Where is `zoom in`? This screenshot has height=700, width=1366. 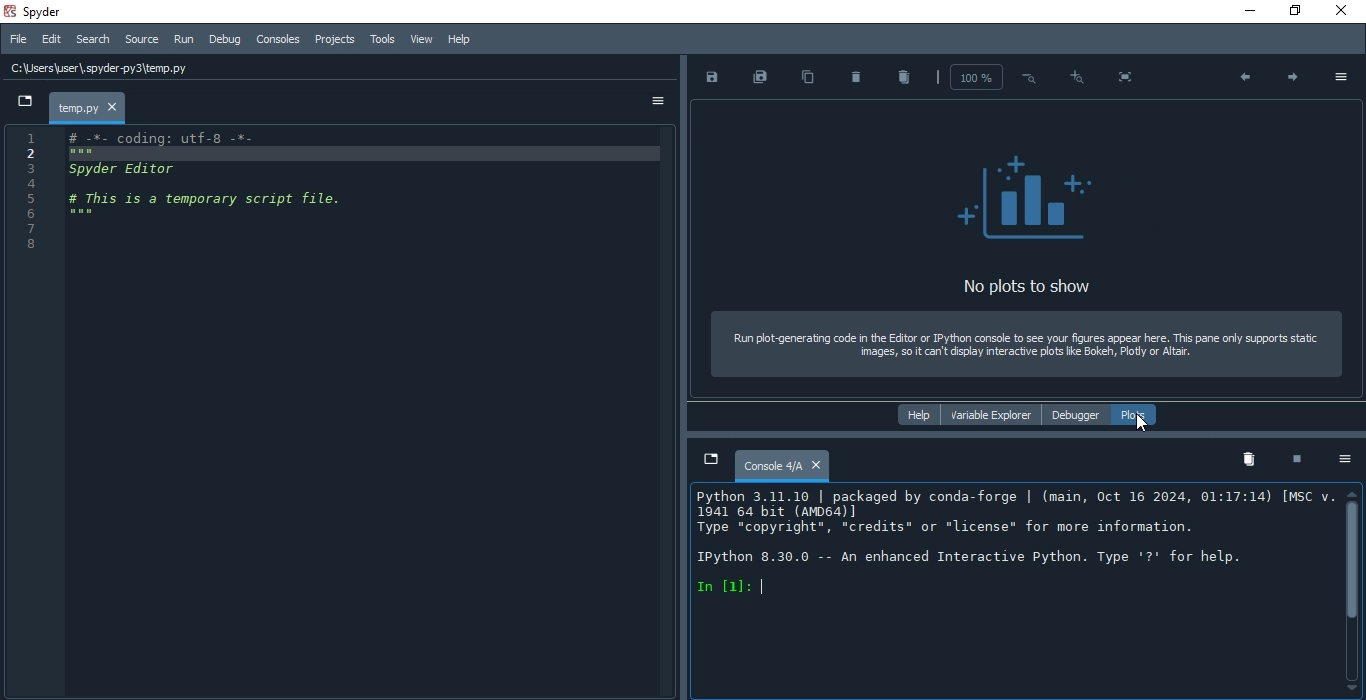 zoom in is located at coordinates (1077, 75).